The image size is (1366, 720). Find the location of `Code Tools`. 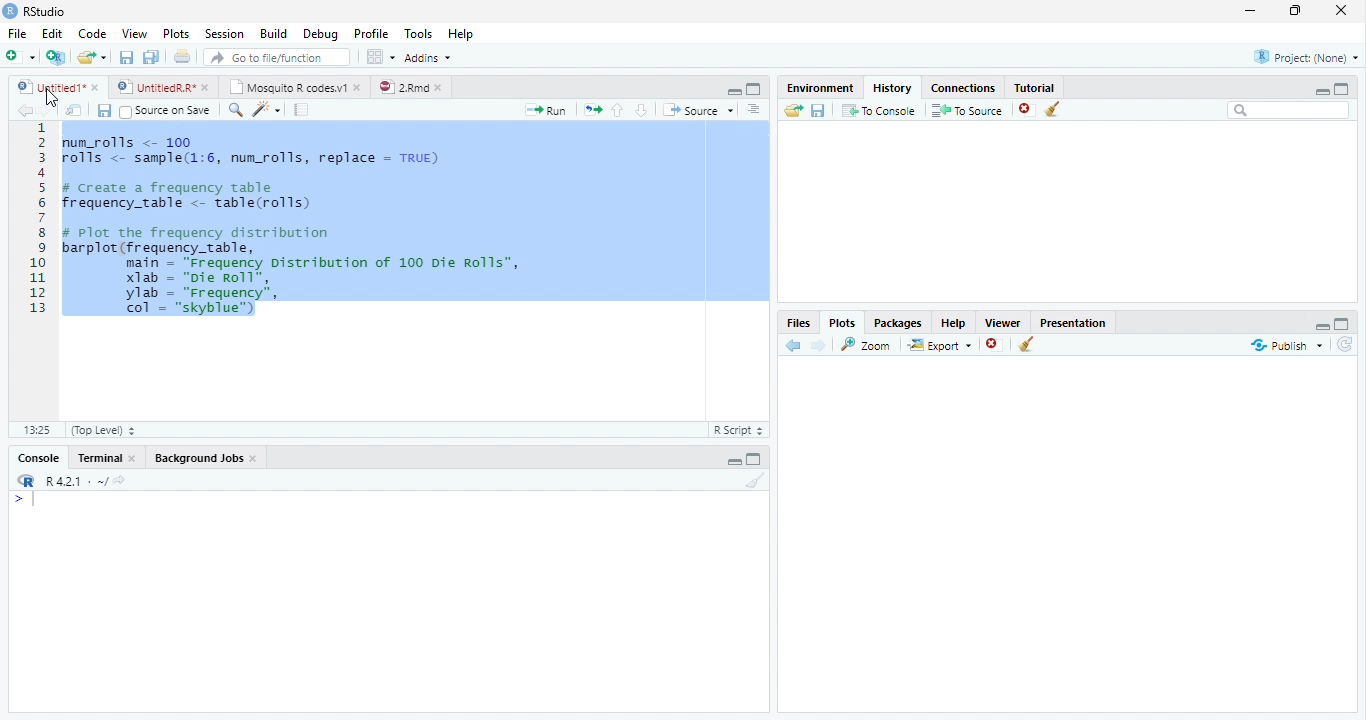

Code Tools is located at coordinates (265, 110).